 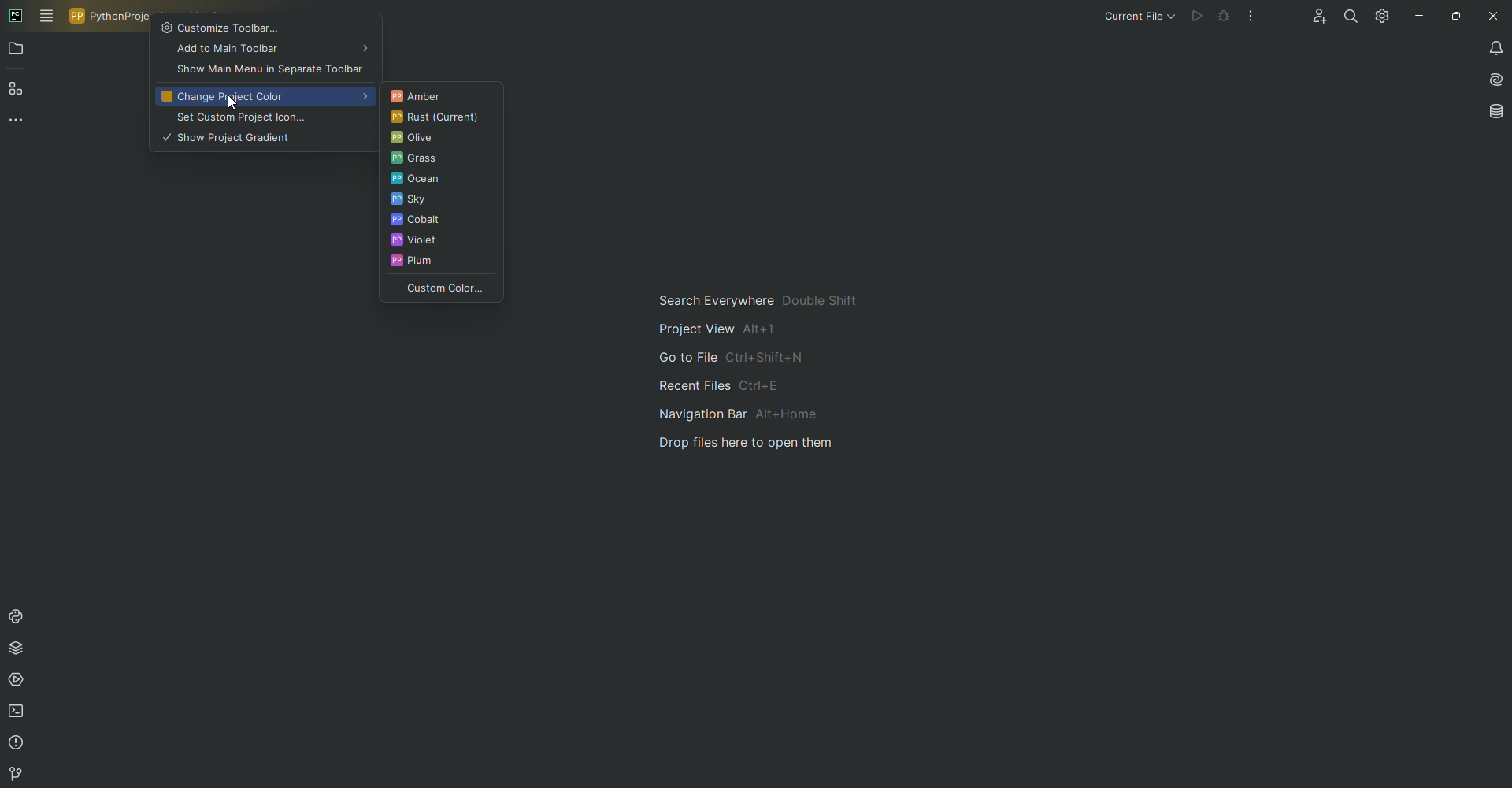 What do you see at coordinates (1454, 15) in the screenshot?
I see `Restore` at bounding box center [1454, 15].